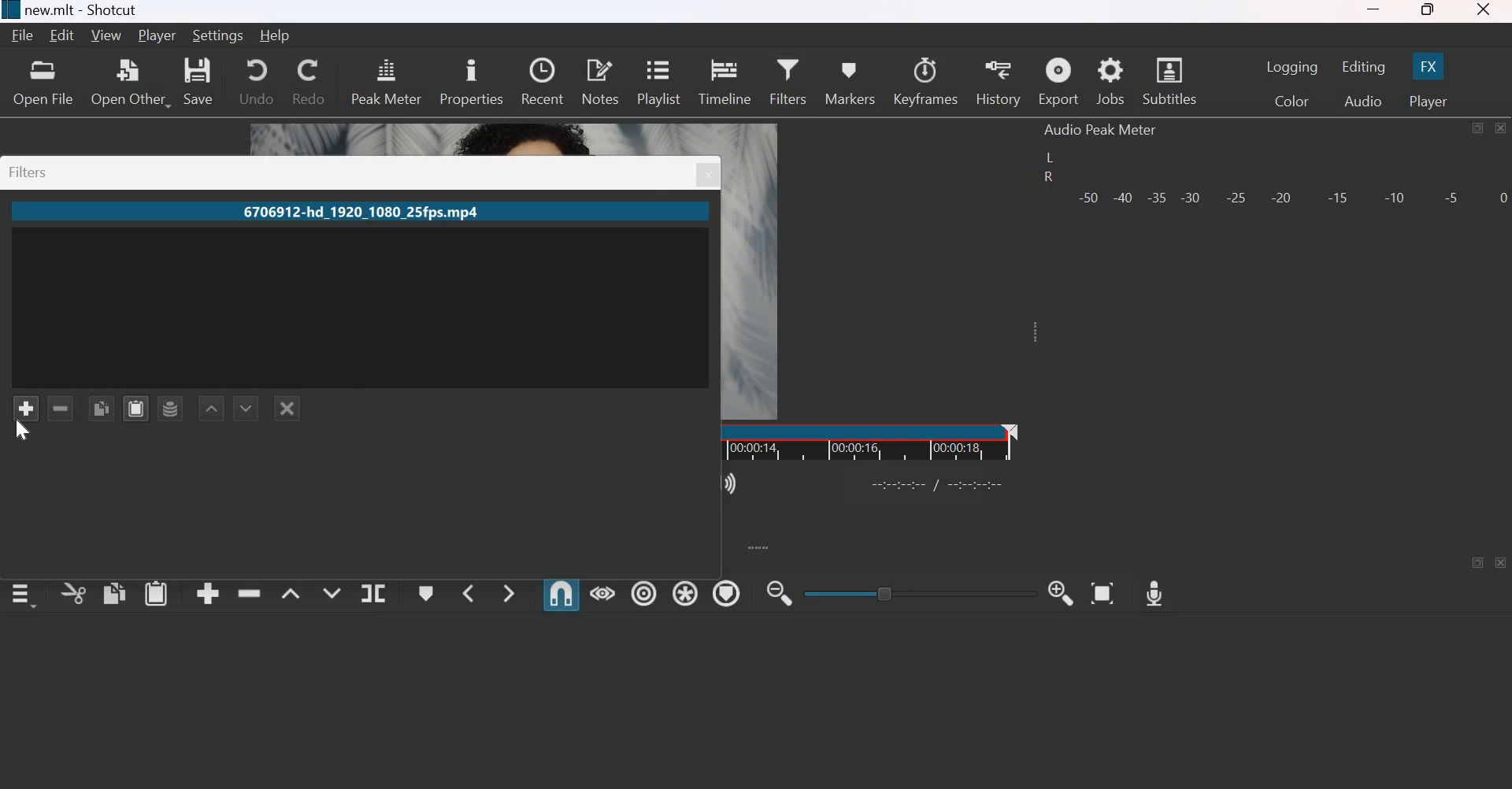 This screenshot has width=1512, height=789. Describe the element at coordinates (256, 80) in the screenshot. I see `undo` at that location.